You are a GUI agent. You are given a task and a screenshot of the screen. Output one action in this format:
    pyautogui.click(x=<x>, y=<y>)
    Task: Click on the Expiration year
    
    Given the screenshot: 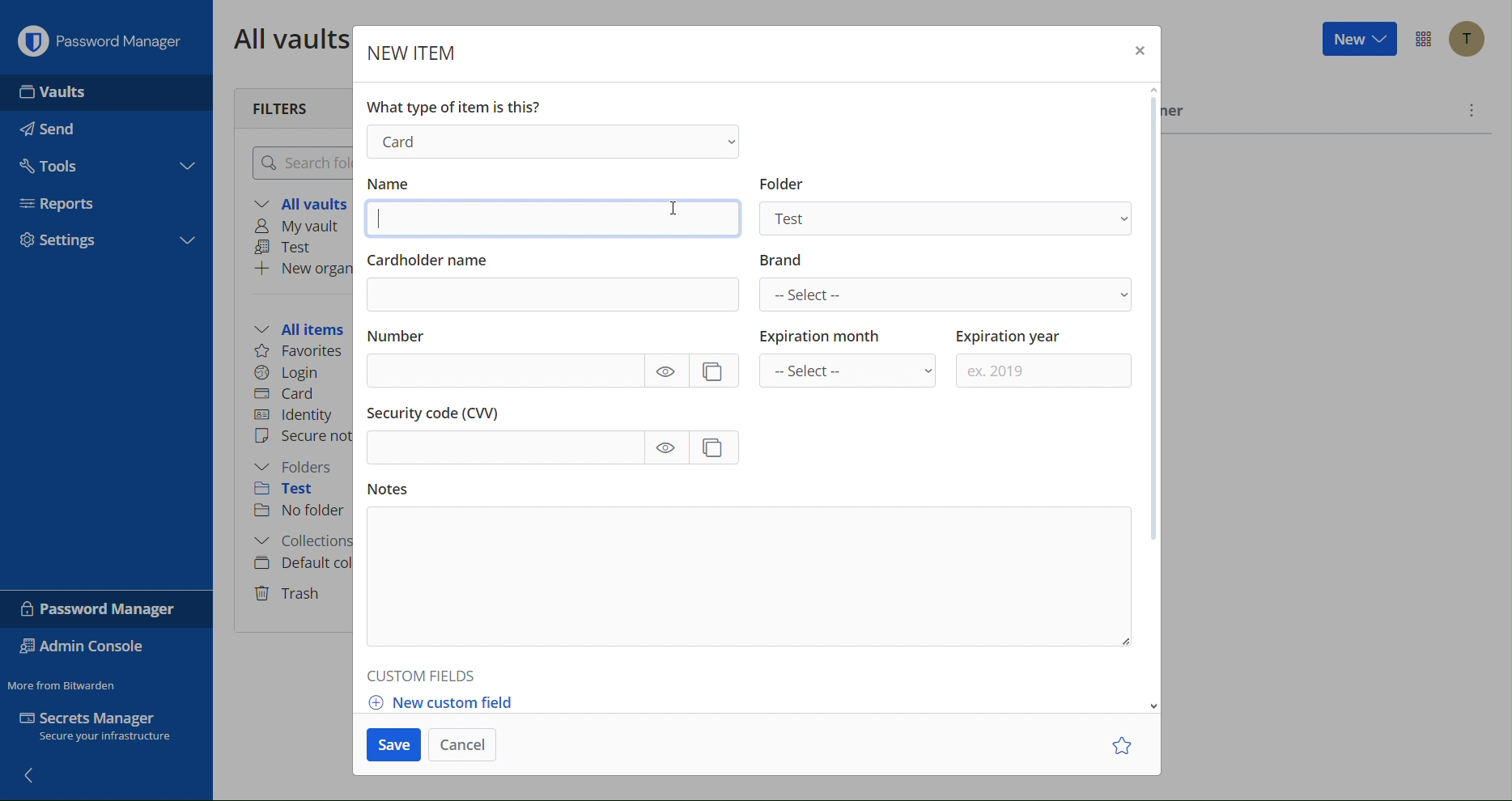 What is the action you would take?
    pyautogui.click(x=1046, y=358)
    